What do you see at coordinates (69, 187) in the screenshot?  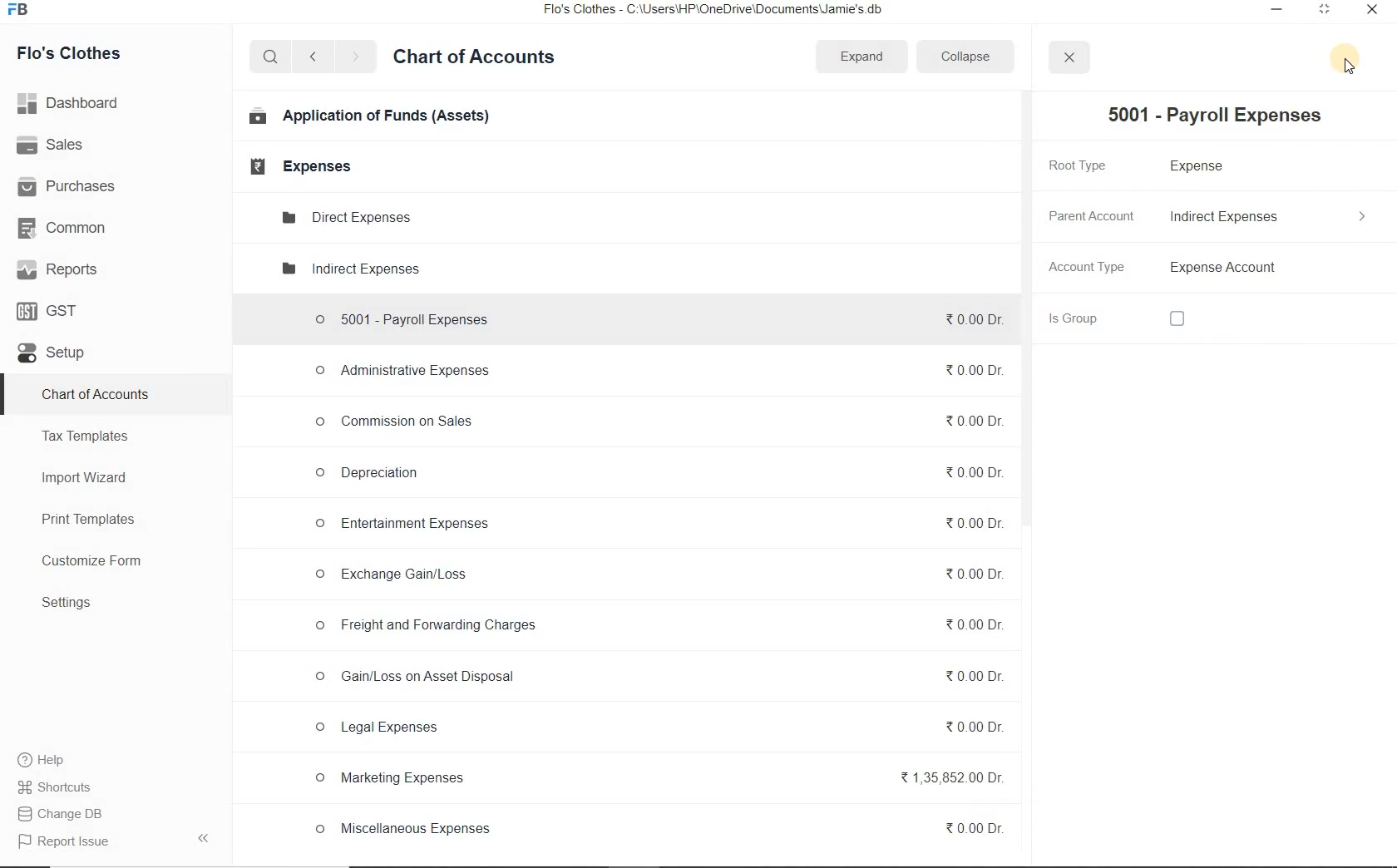 I see `Purchases` at bounding box center [69, 187].